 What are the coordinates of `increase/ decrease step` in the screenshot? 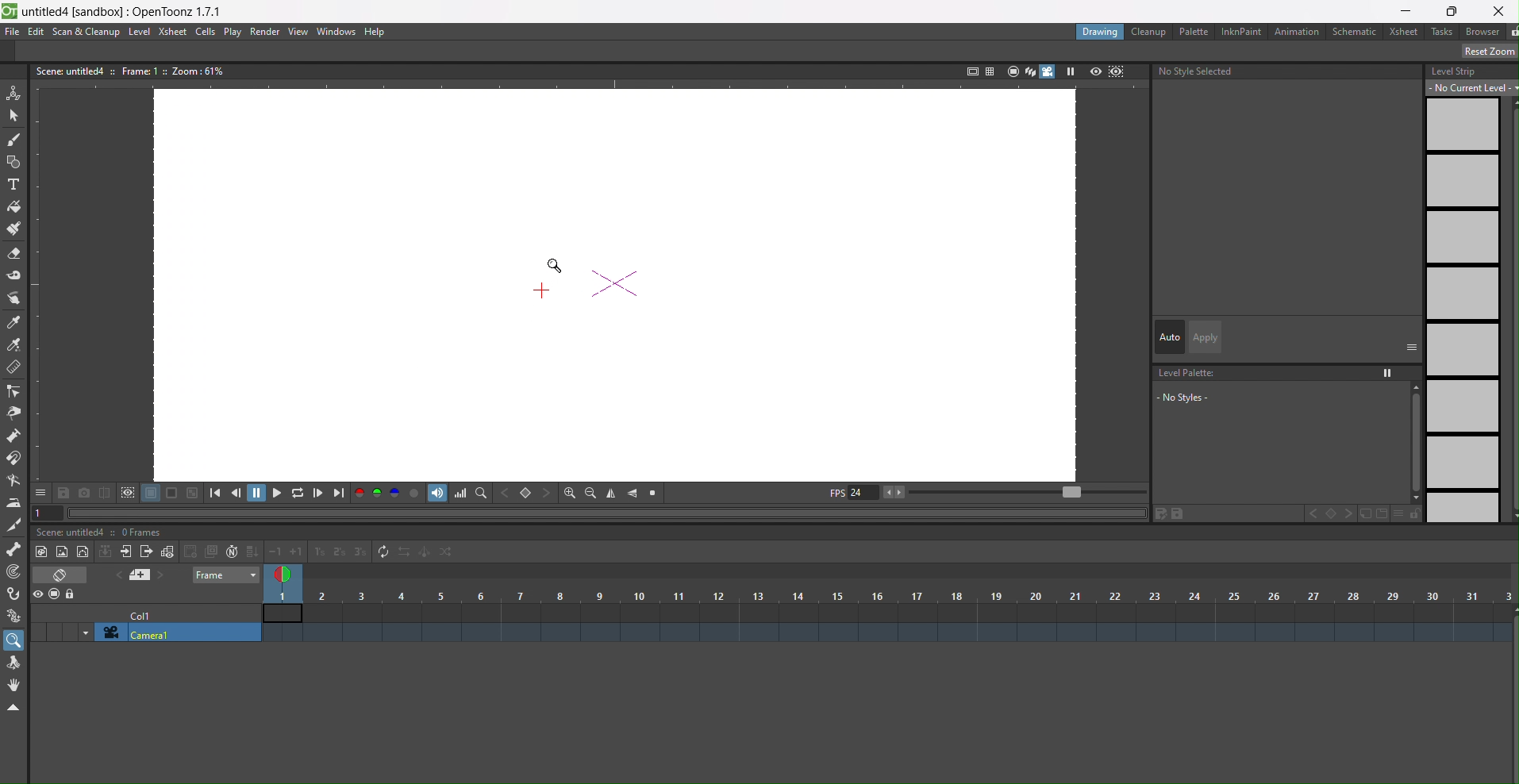 It's located at (317, 553).